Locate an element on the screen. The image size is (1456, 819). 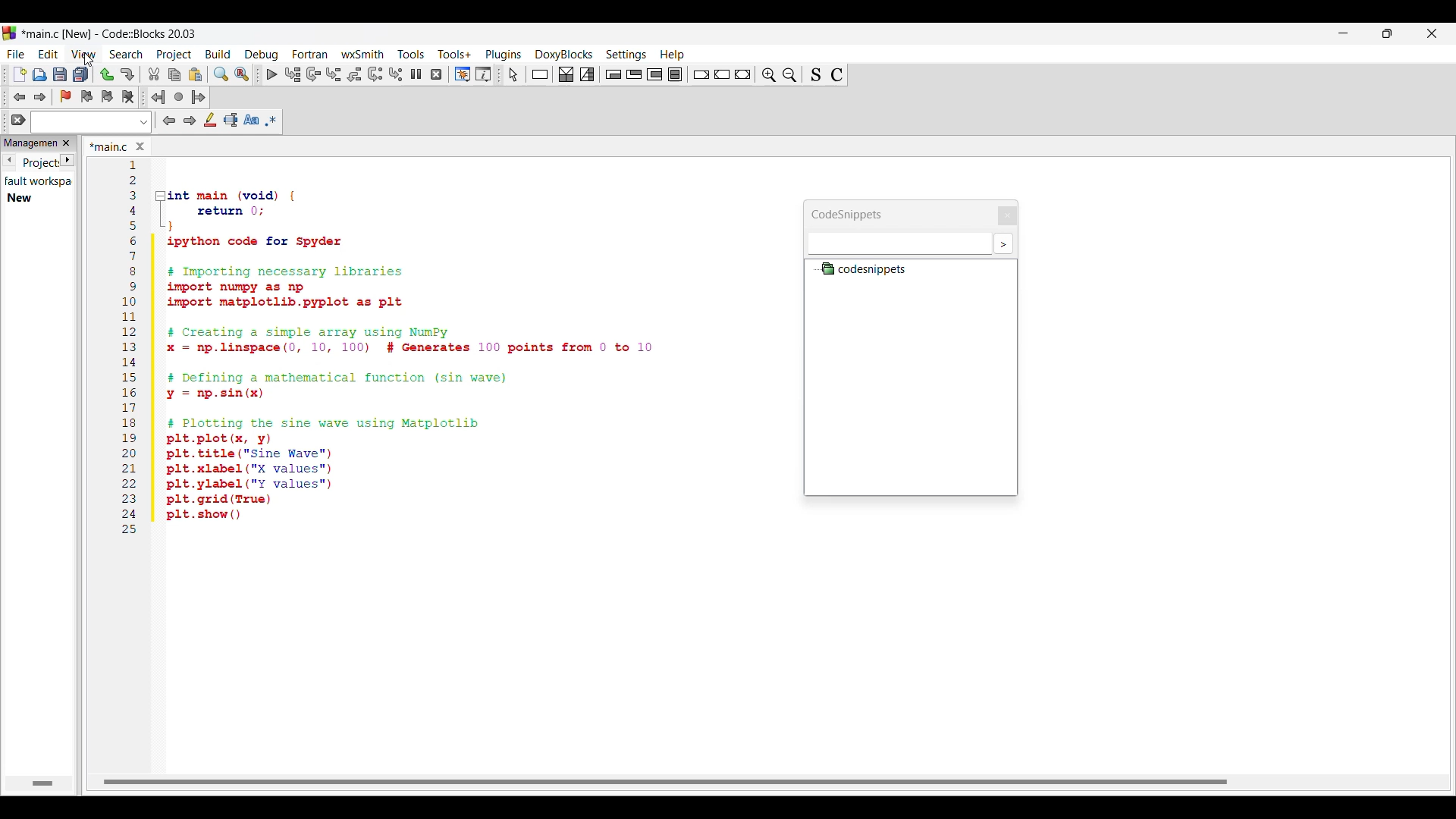
Redo is located at coordinates (128, 74).